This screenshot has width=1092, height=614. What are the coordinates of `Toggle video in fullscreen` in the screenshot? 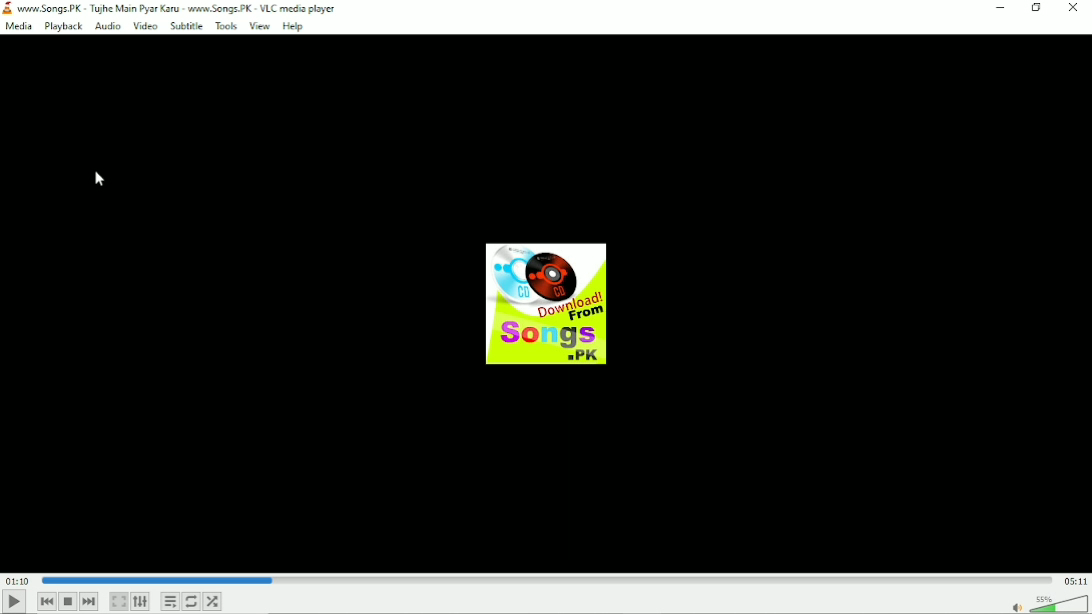 It's located at (119, 602).